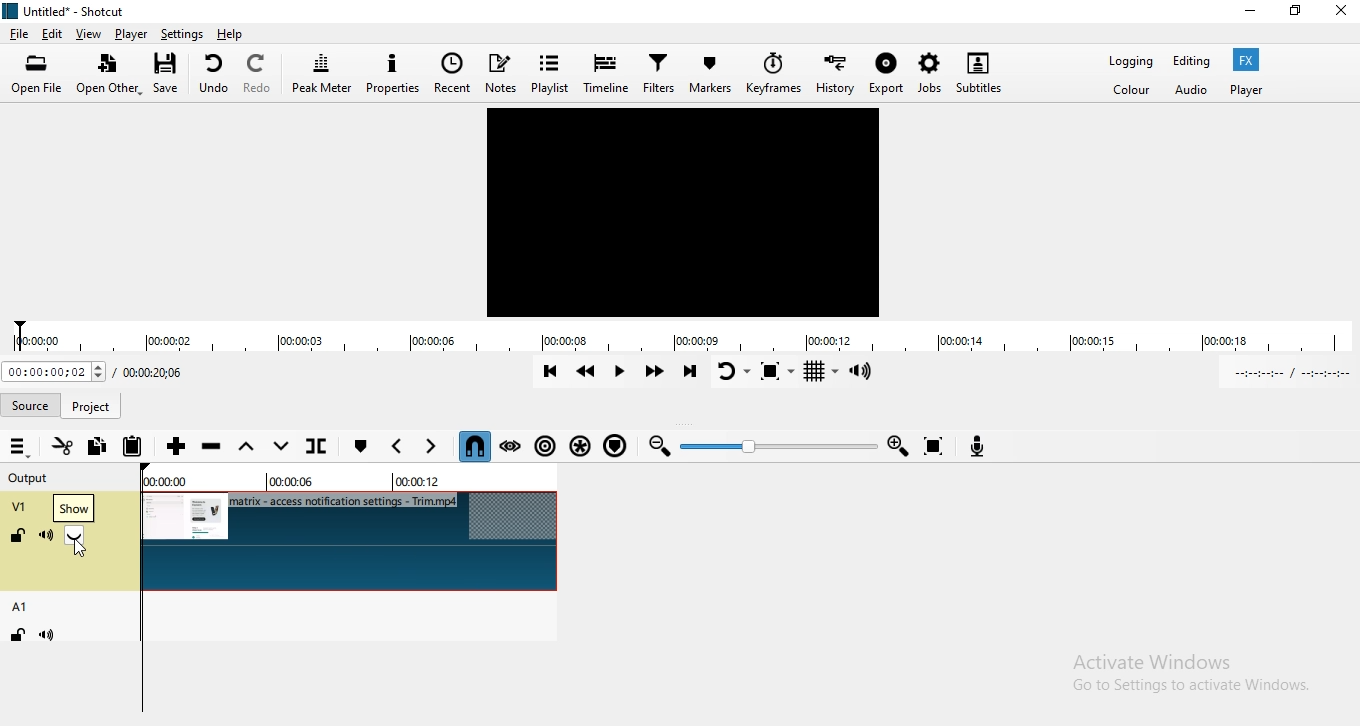 The width and height of the screenshot is (1360, 726). I want to click on In point, so click(1289, 373).